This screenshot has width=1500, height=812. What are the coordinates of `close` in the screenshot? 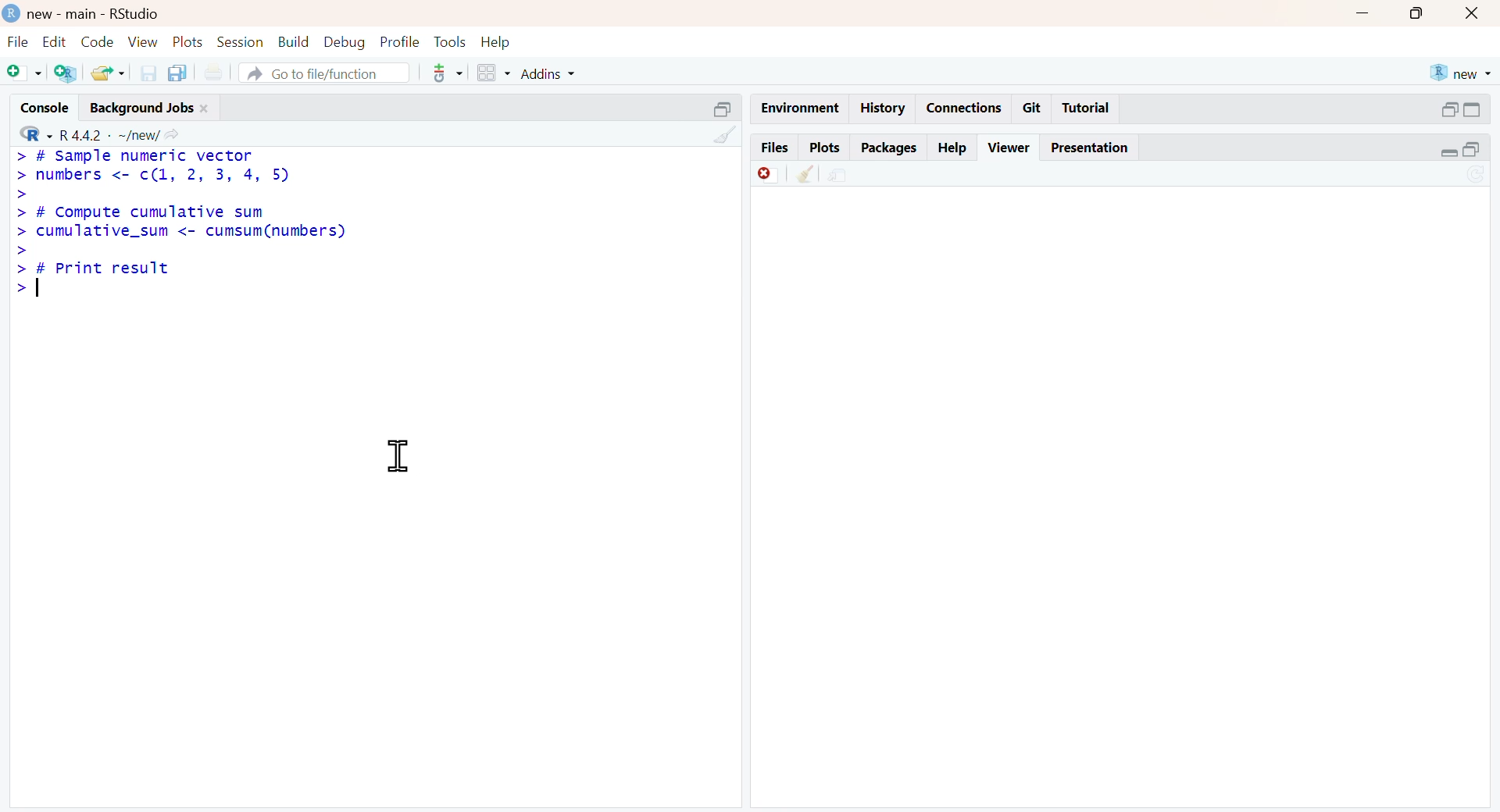 It's located at (1473, 14).